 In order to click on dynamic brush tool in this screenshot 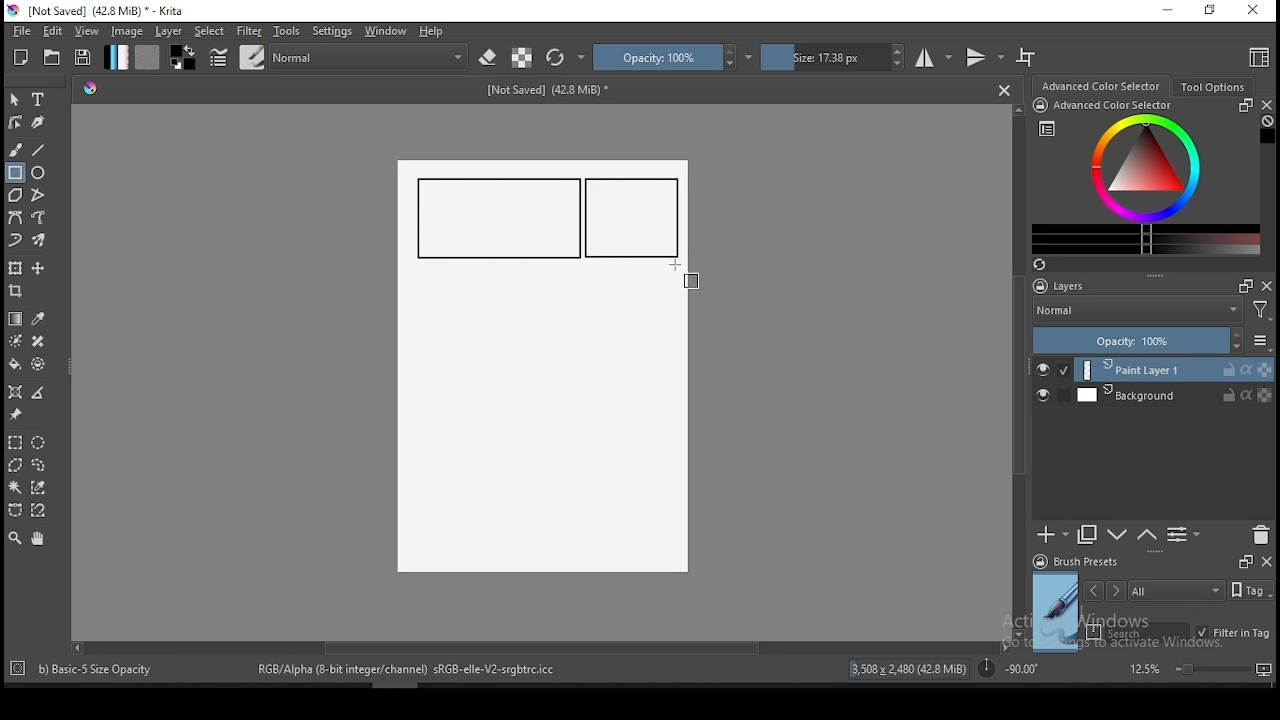, I will do `click(15, 241)`.